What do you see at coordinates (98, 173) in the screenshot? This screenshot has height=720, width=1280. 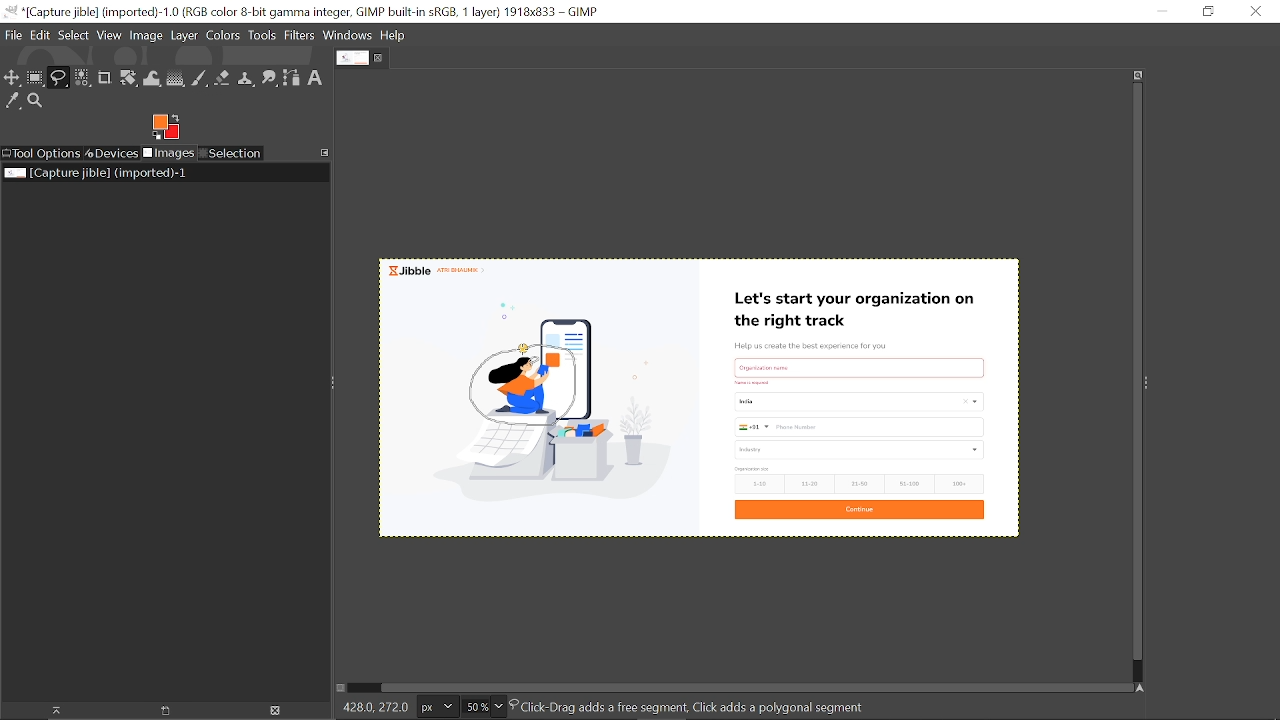 I see `Current image` at bounding box center [98, 173].